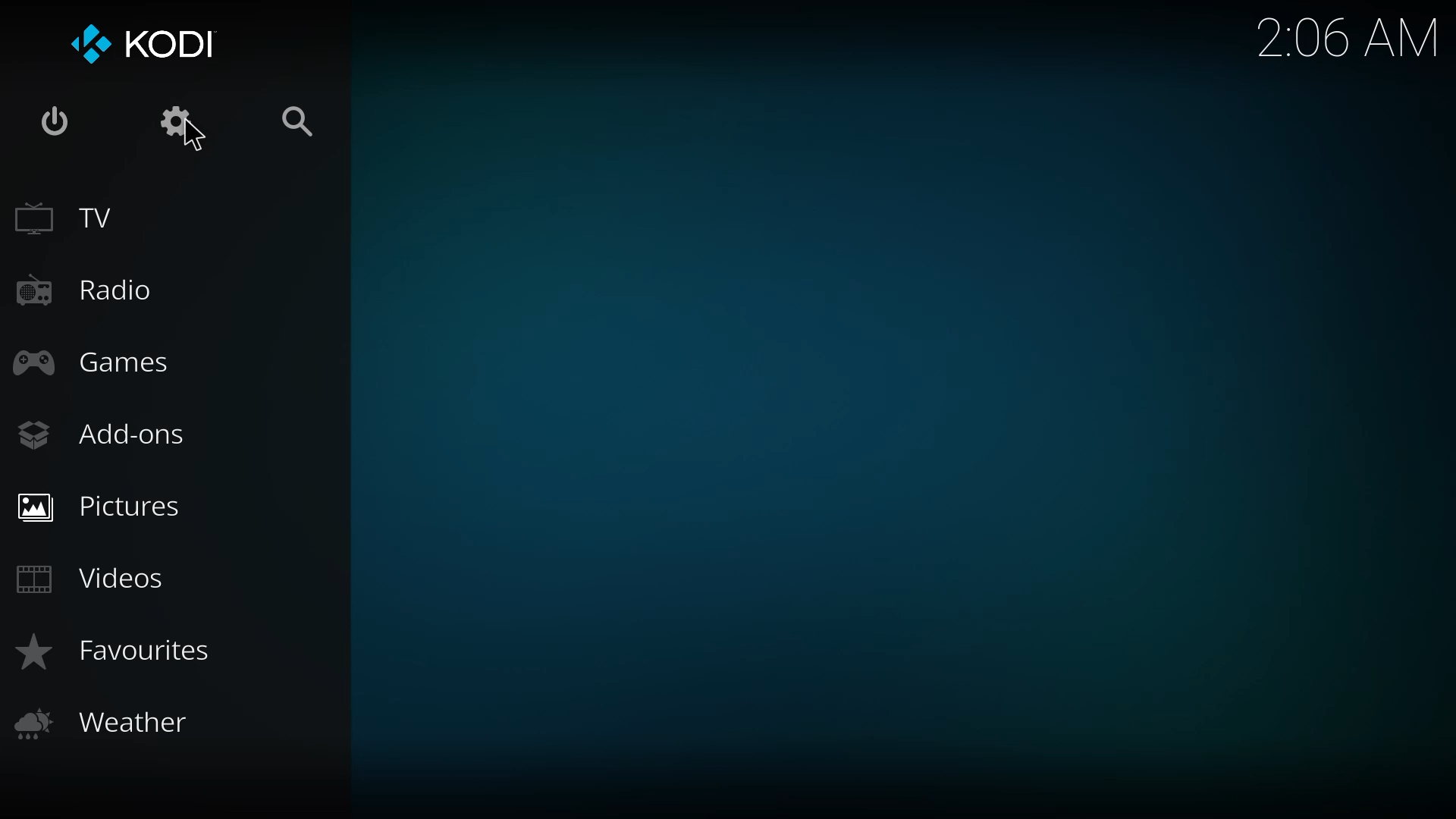 This screenshot has height=819, width=1456. I want to click on power, so click(62, 122).